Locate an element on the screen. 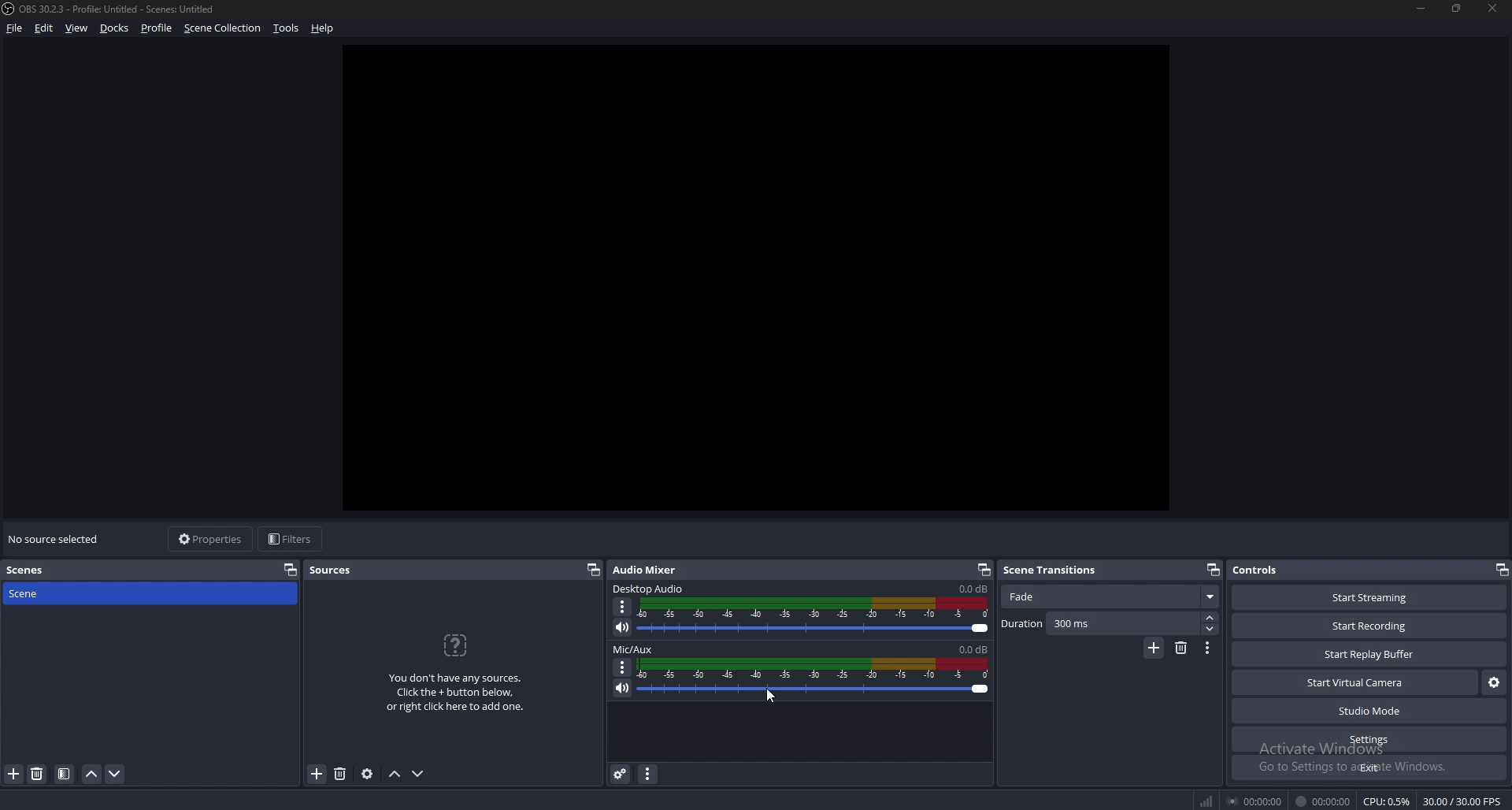 This screenshot has width=1512, height=810. scene is located at coordinates (31, 593).